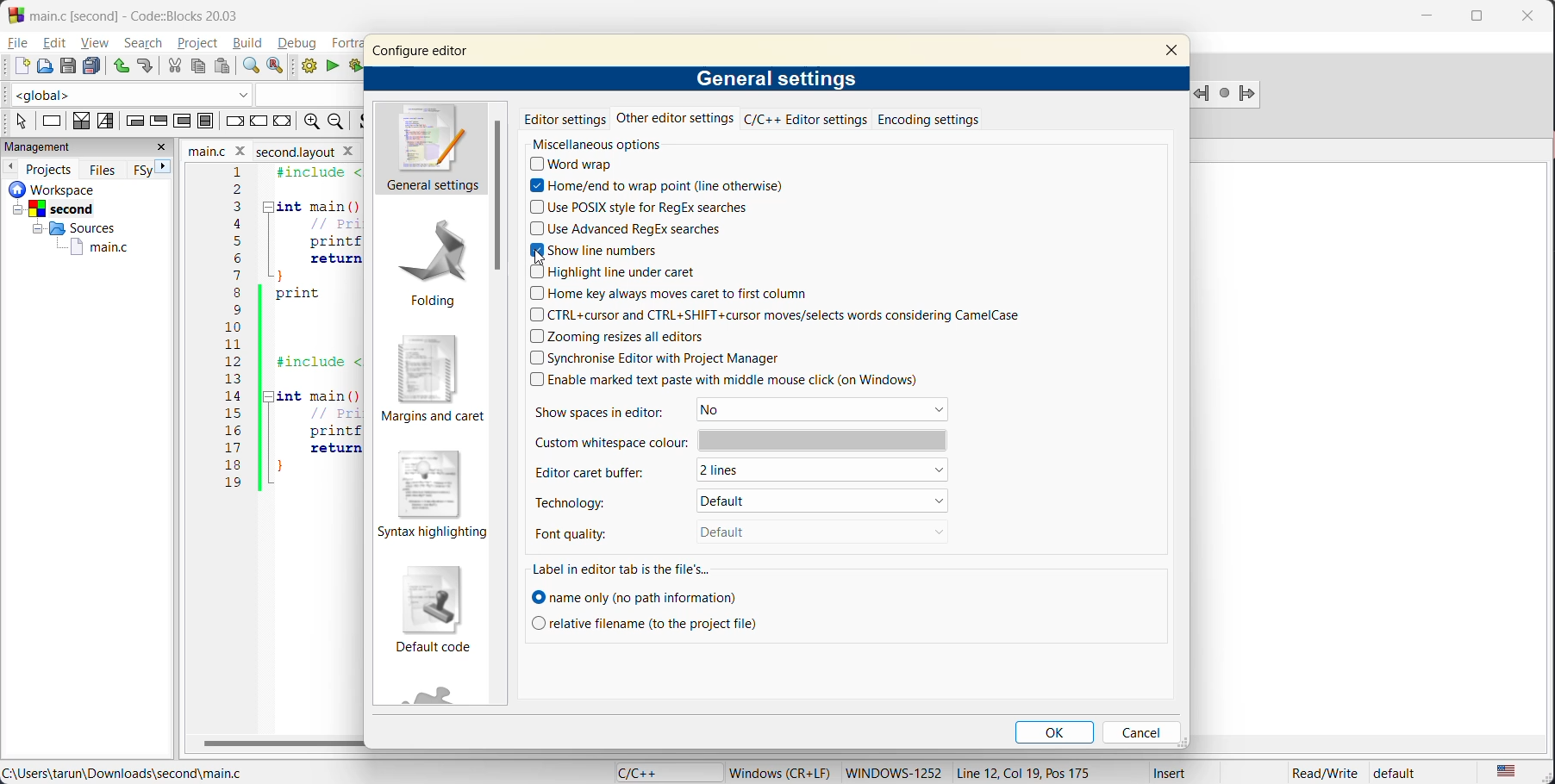 The width and height of the screenshot is (1555, 784). I want to click on code completion compiler, so click(177, 94).